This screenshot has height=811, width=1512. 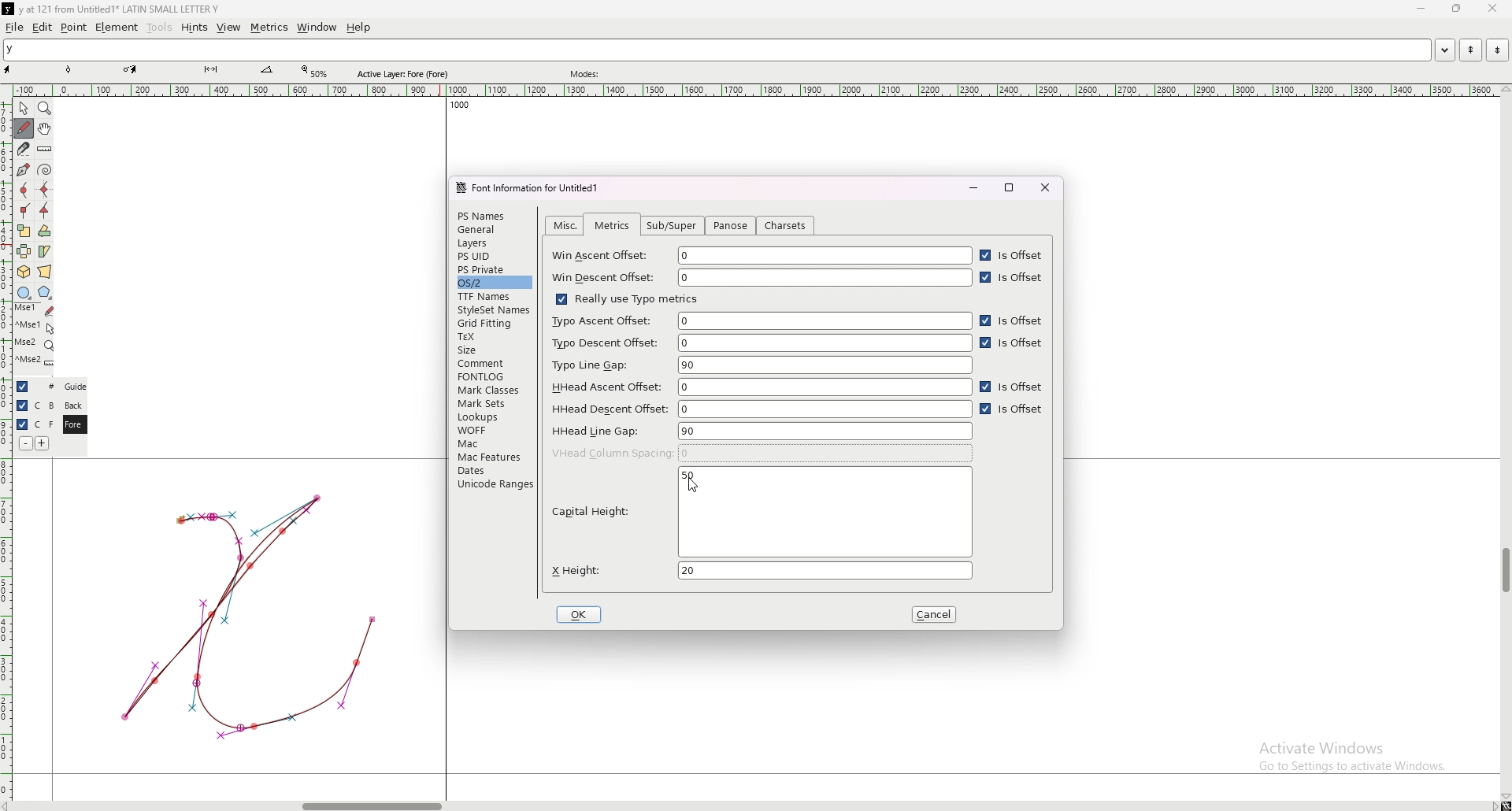 I want to click on scroll down, so click(x=1505, y=797).